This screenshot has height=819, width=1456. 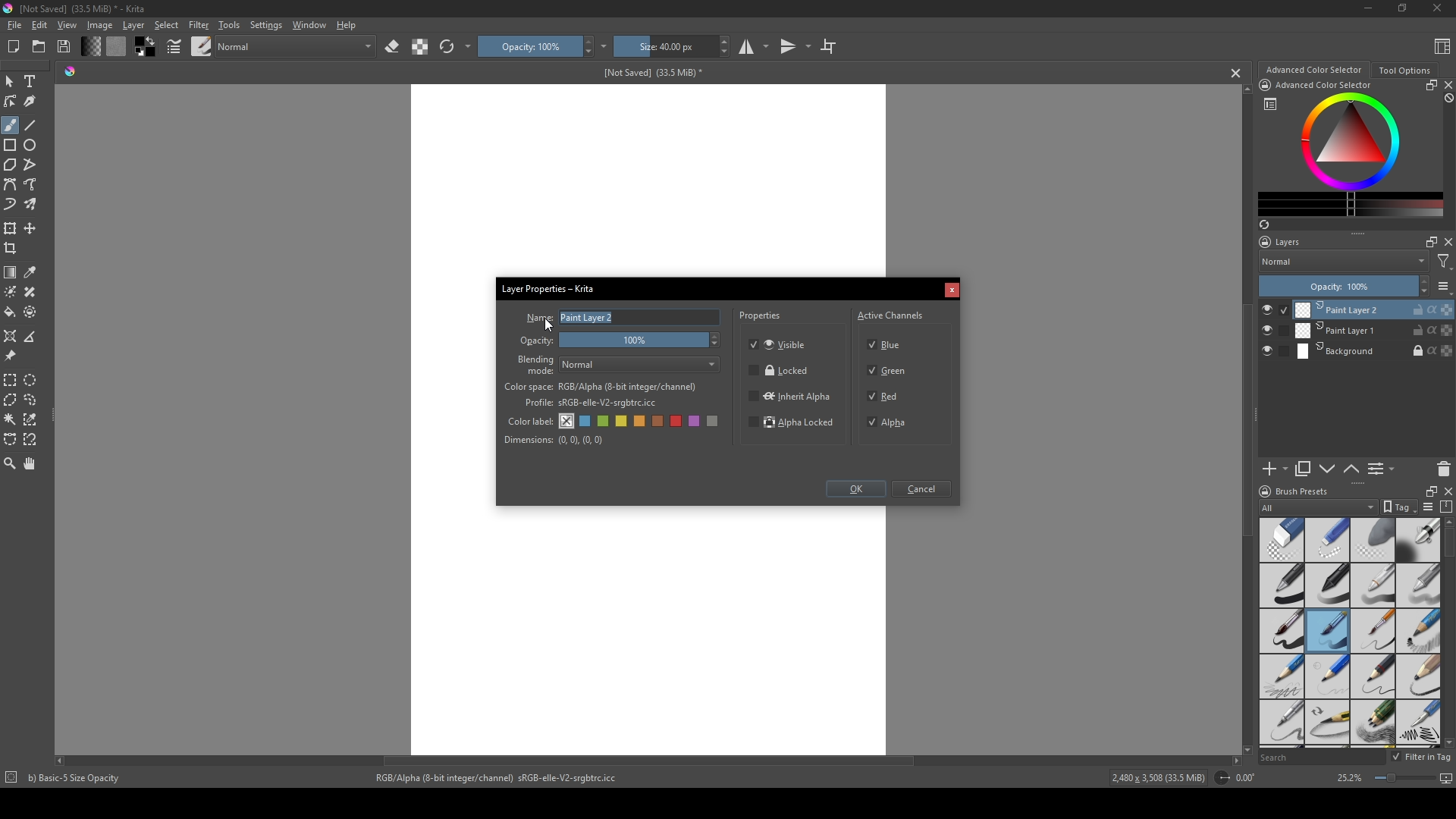 What do you see at coordinates (660, 421) in the screenshot?
I see `brown` at bounding box center [660, 421].